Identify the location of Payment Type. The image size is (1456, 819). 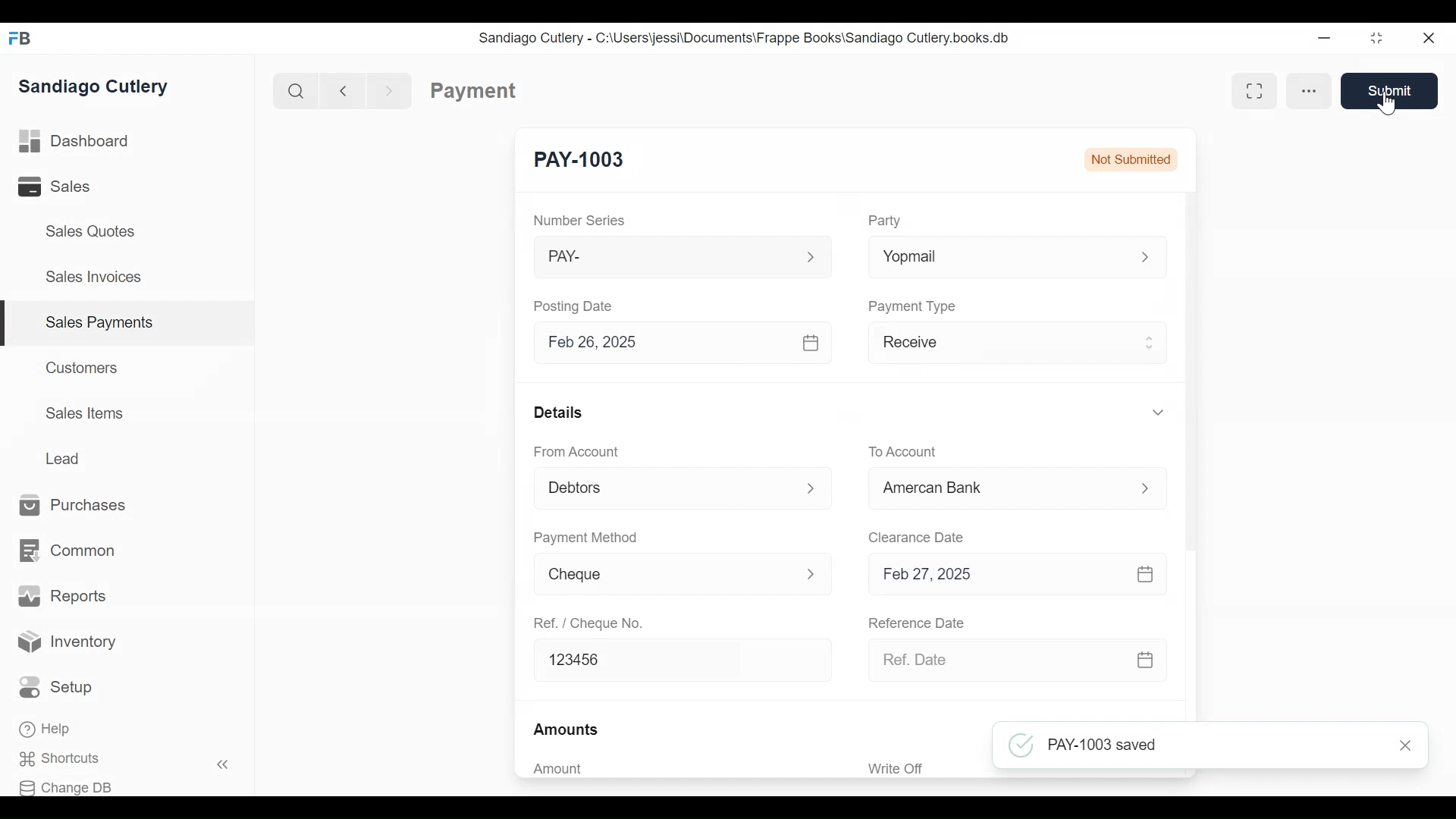
(912, 306).